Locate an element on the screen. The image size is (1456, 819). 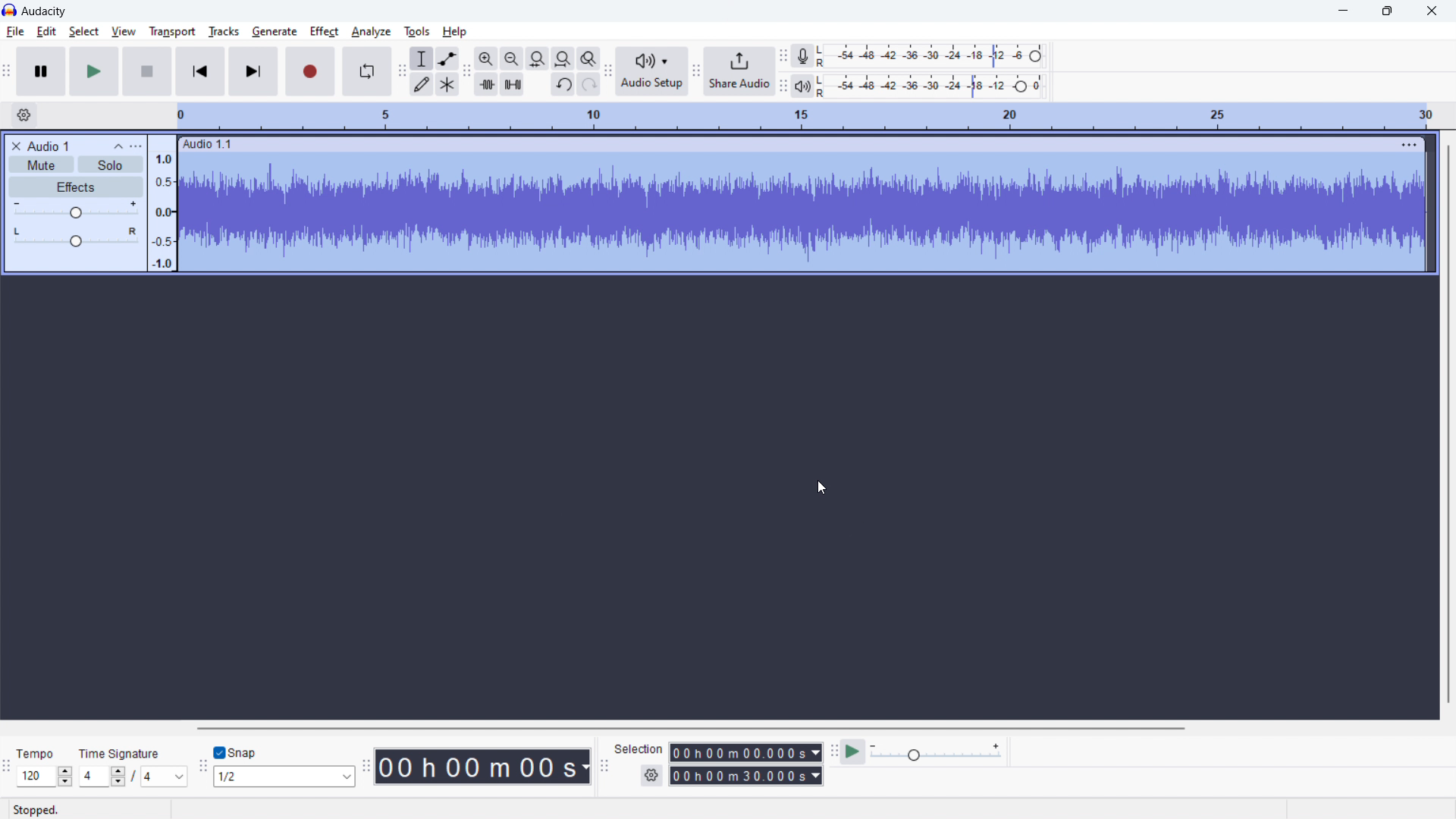
set tempo is located at coordinates (44, 777).